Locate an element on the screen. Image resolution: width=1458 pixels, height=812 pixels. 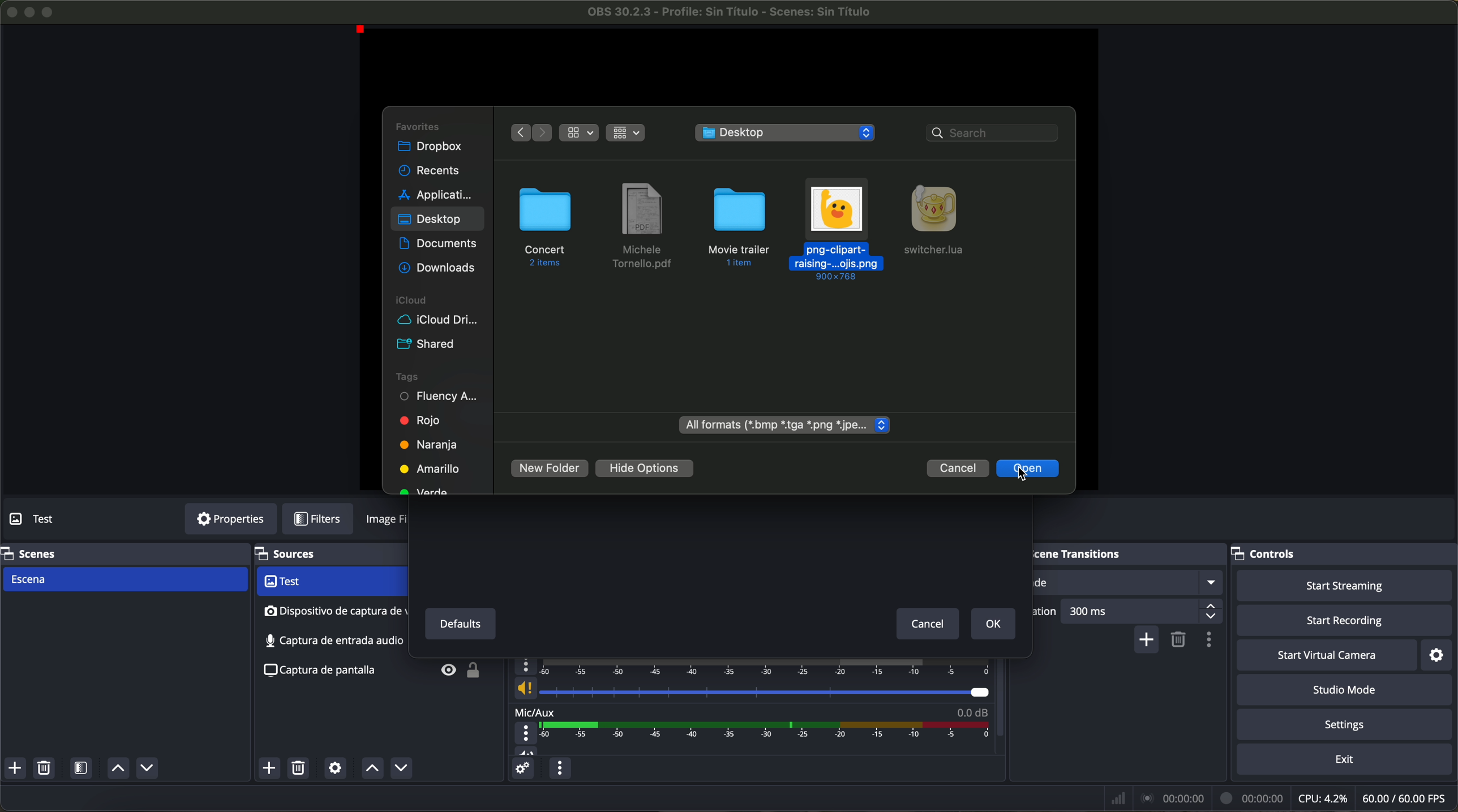
timeline is located at coordinates (755, 667).